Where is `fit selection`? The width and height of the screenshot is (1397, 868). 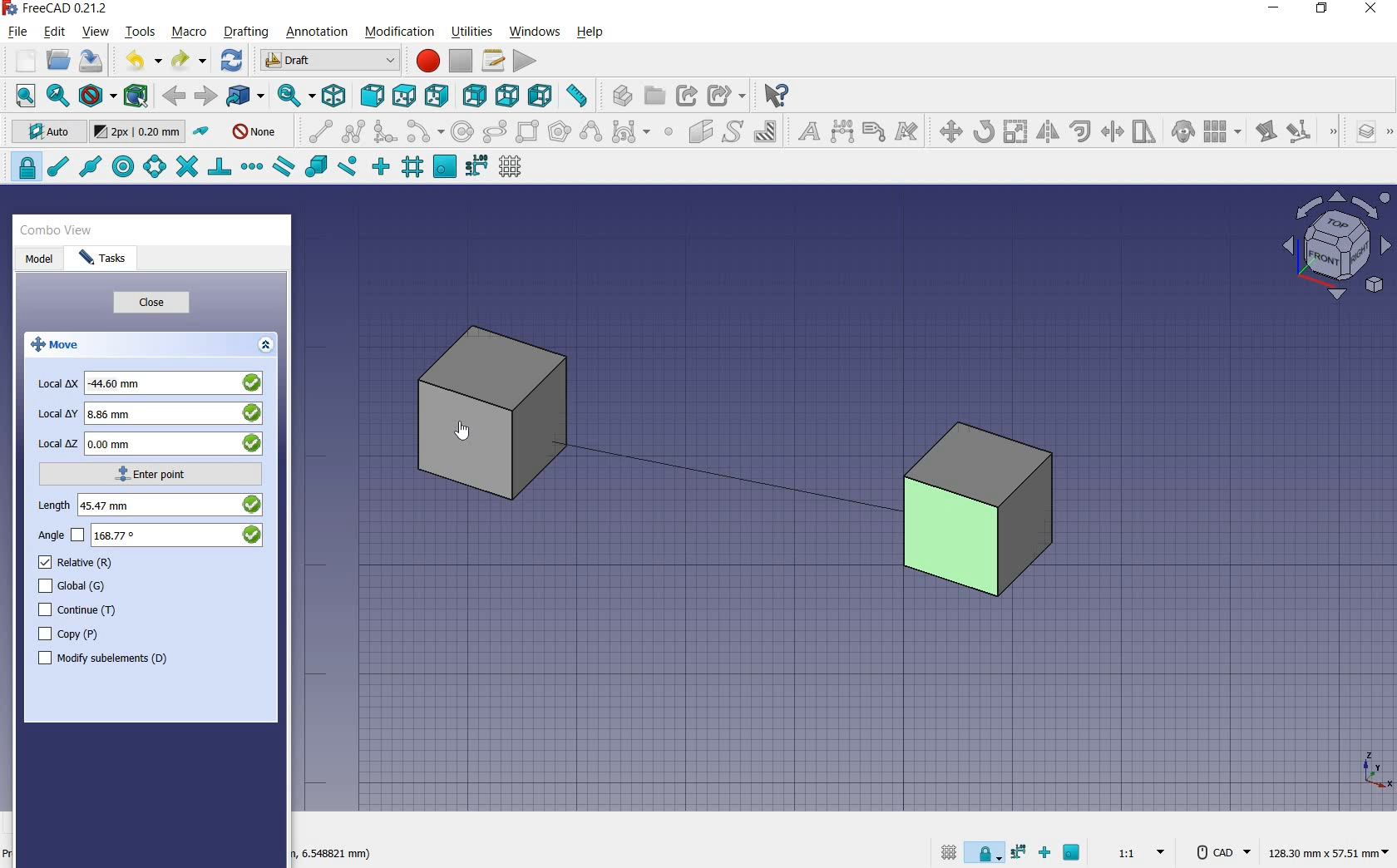
fit selection is located at coordinates (57, 95).